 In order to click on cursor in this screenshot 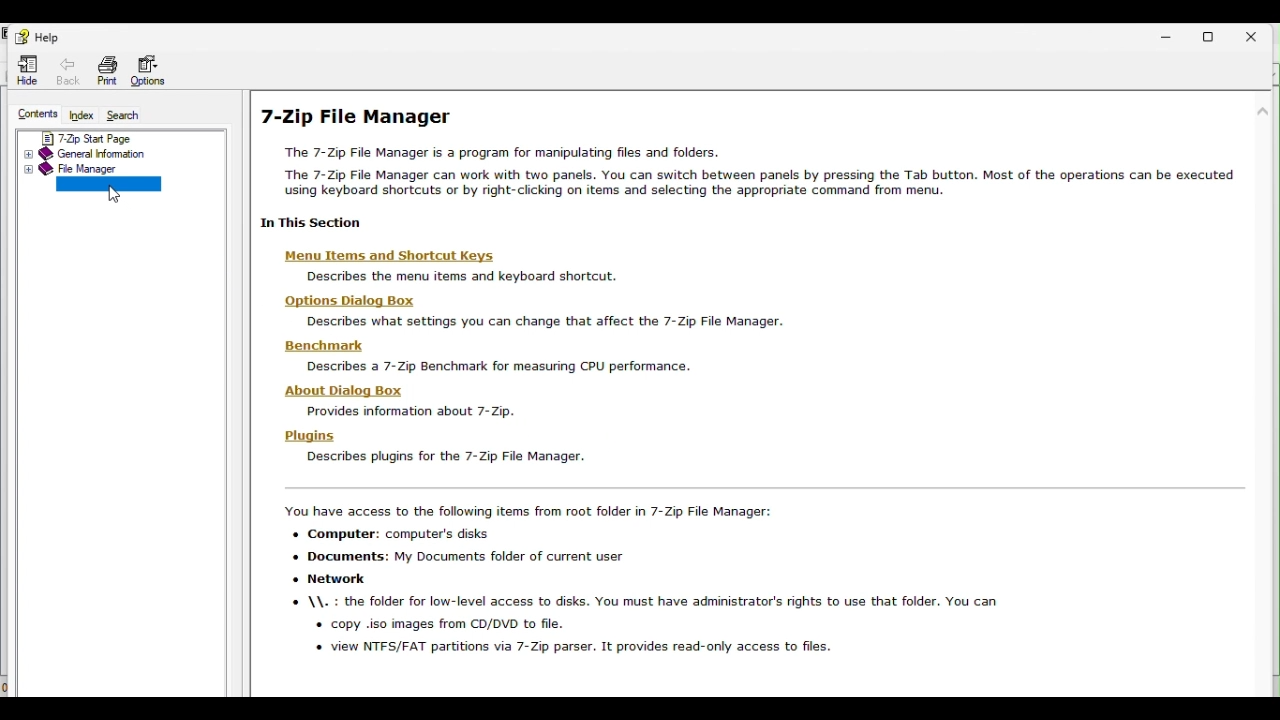, I will do `click(112, 195)`.